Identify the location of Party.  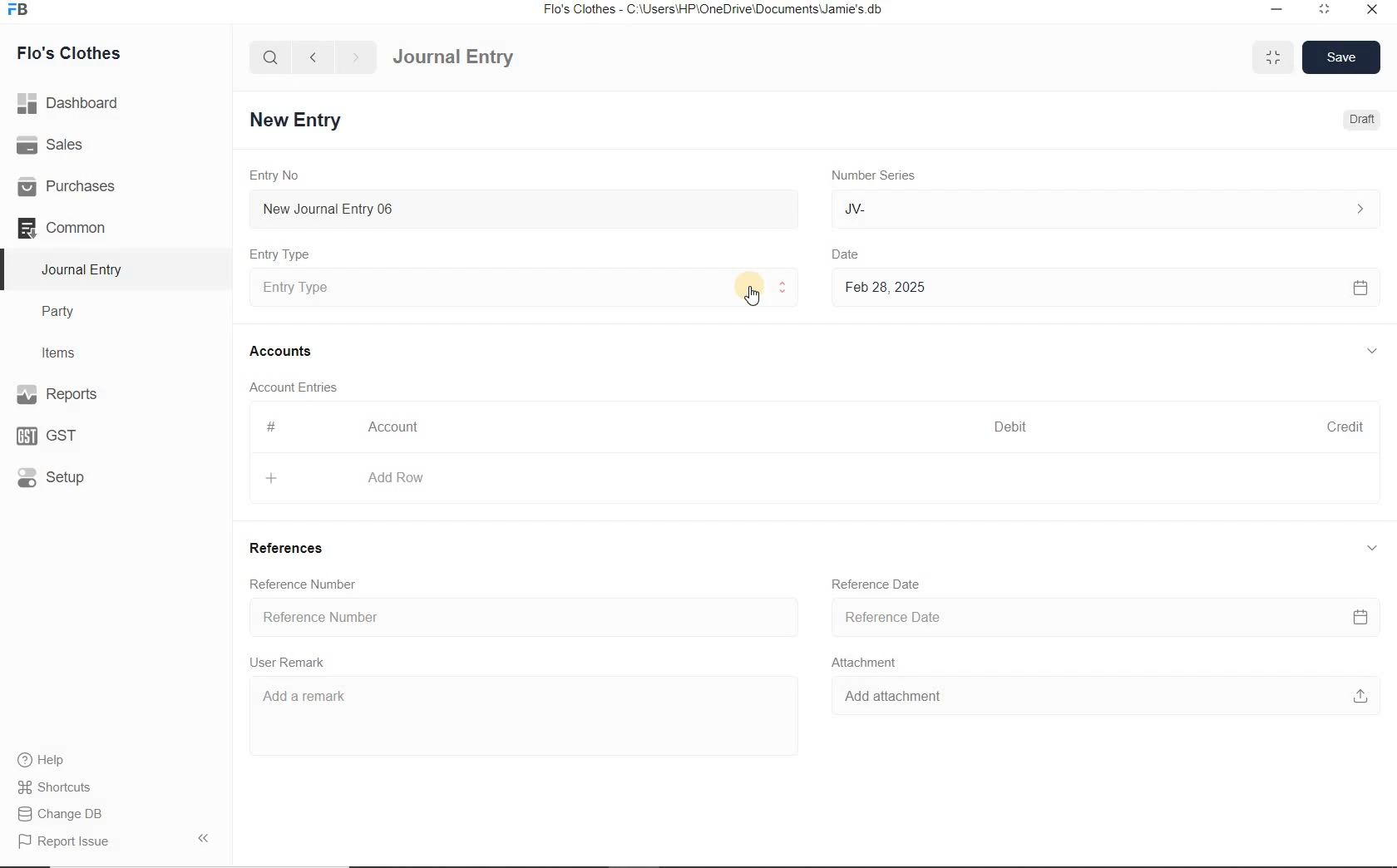
(70, 312).